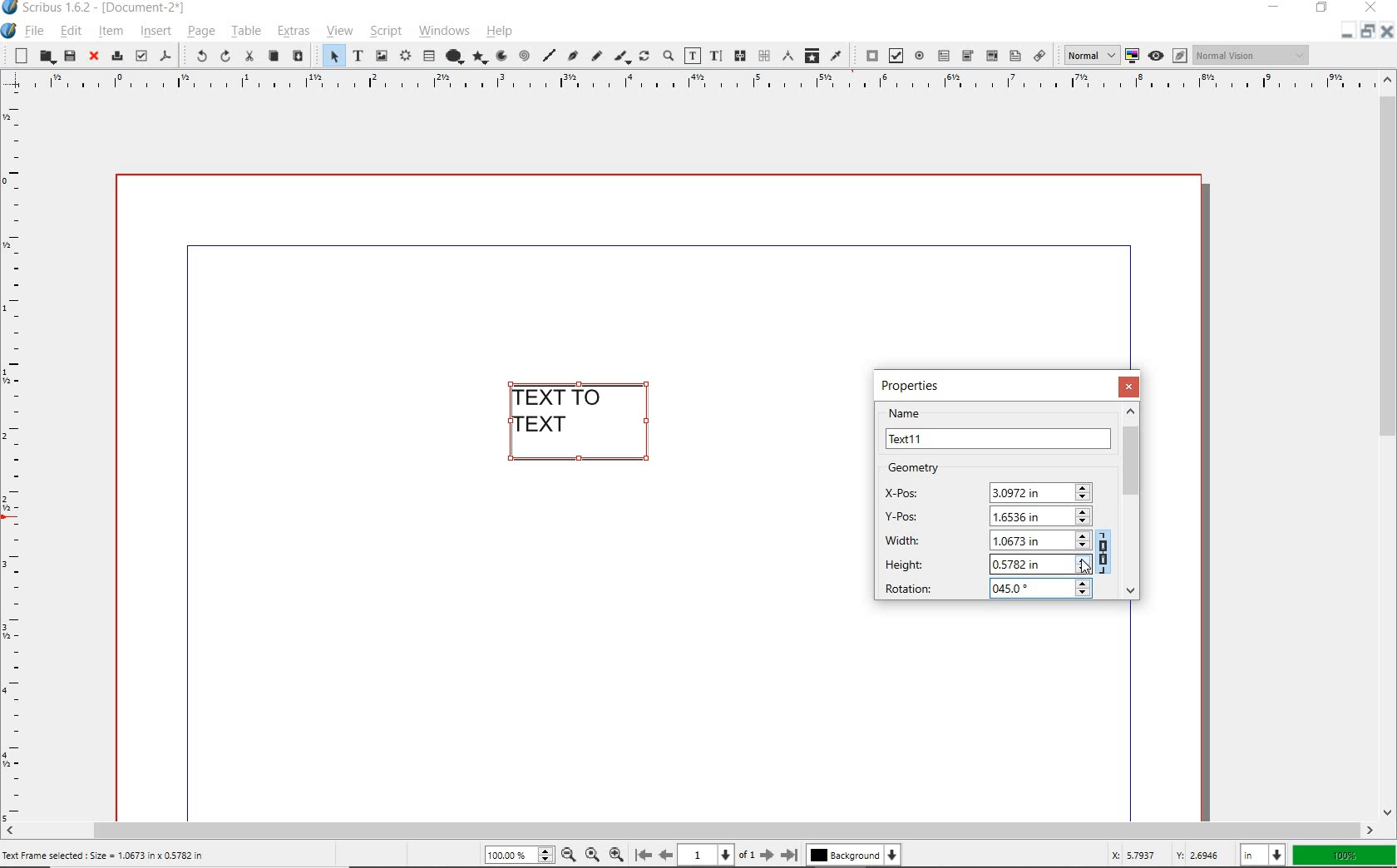 The height and width of the screenshot is (868, 1397). Describe the element at coordinates (595, 855) in the screenshot. I see `zoom to` at that location.